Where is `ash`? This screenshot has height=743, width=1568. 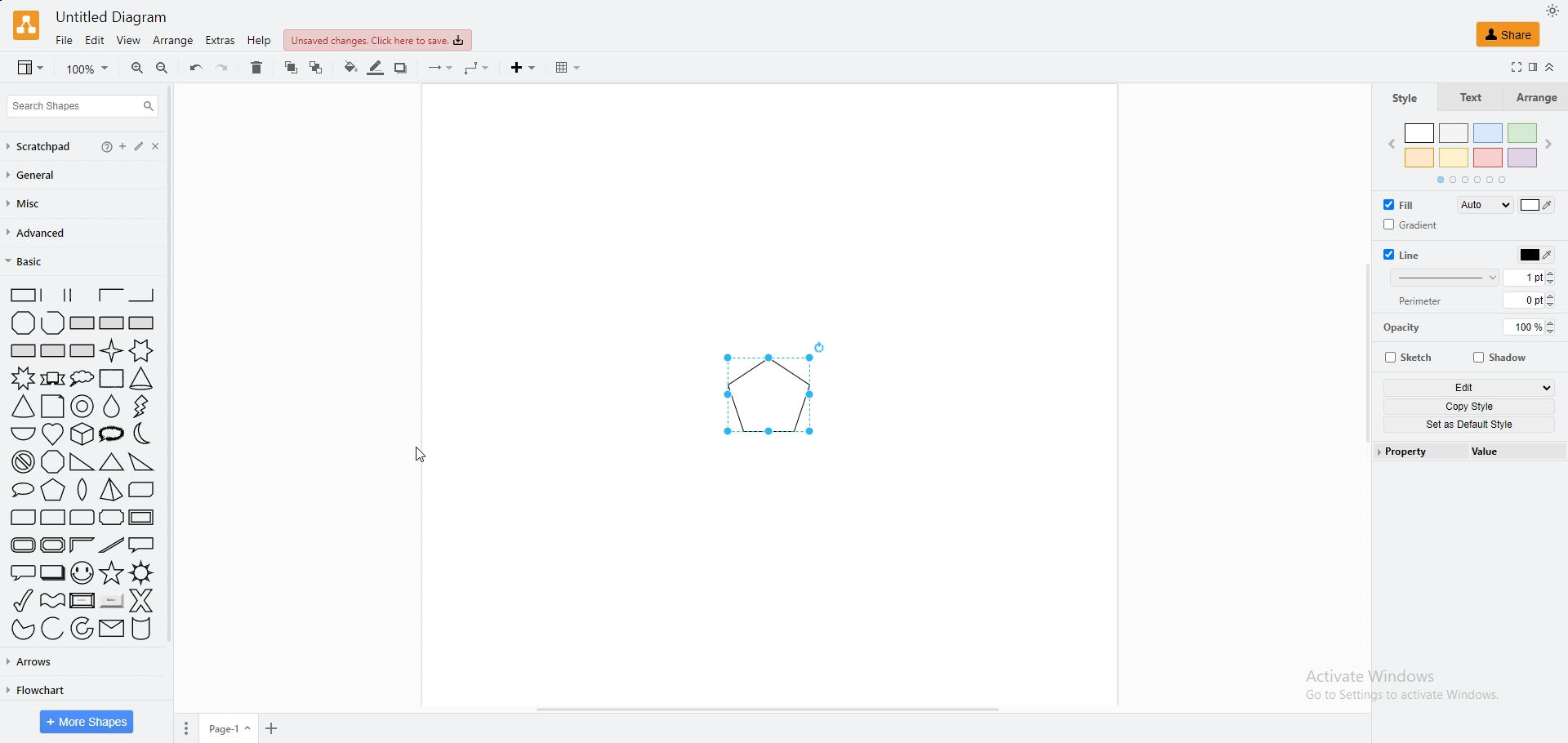
ash is located at coordinates (1455, 133).